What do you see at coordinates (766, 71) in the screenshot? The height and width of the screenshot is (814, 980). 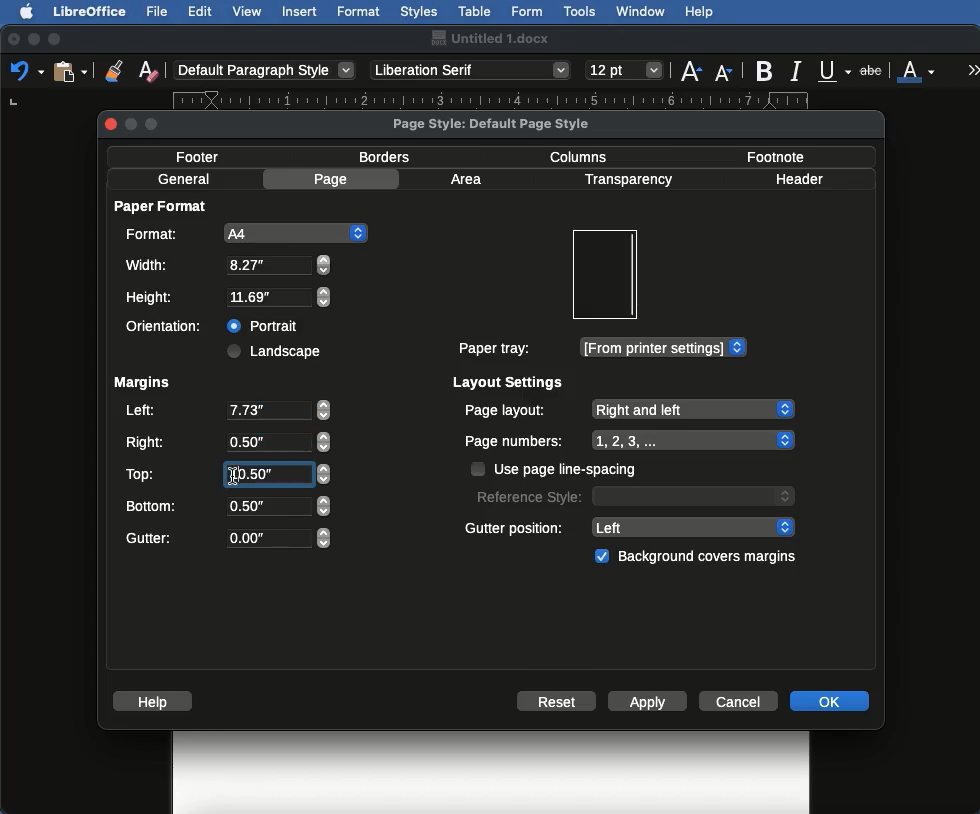 I see `Bold` at bounding box center [766, 71].